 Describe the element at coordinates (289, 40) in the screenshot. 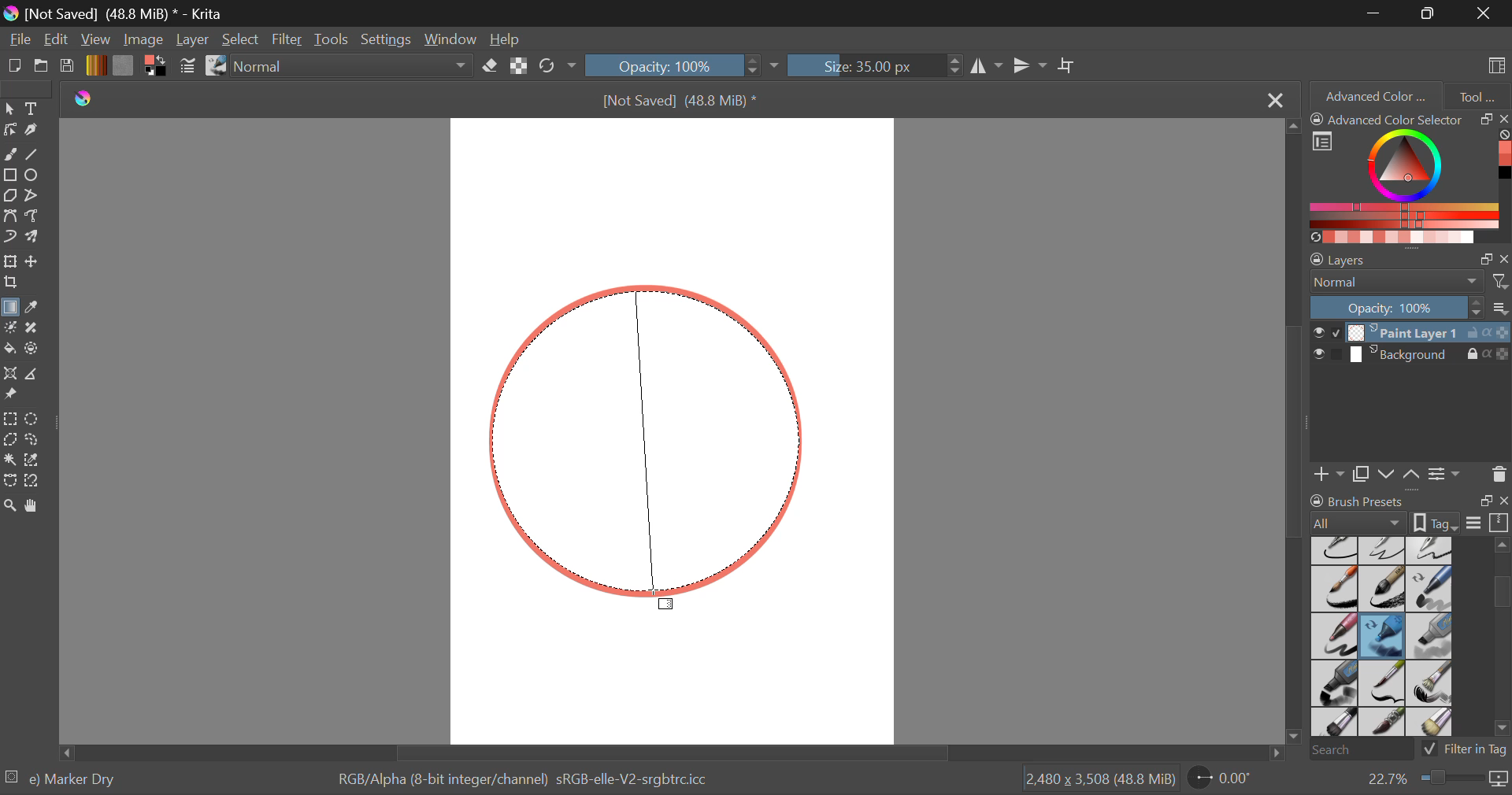

I see `Filter` at that location.